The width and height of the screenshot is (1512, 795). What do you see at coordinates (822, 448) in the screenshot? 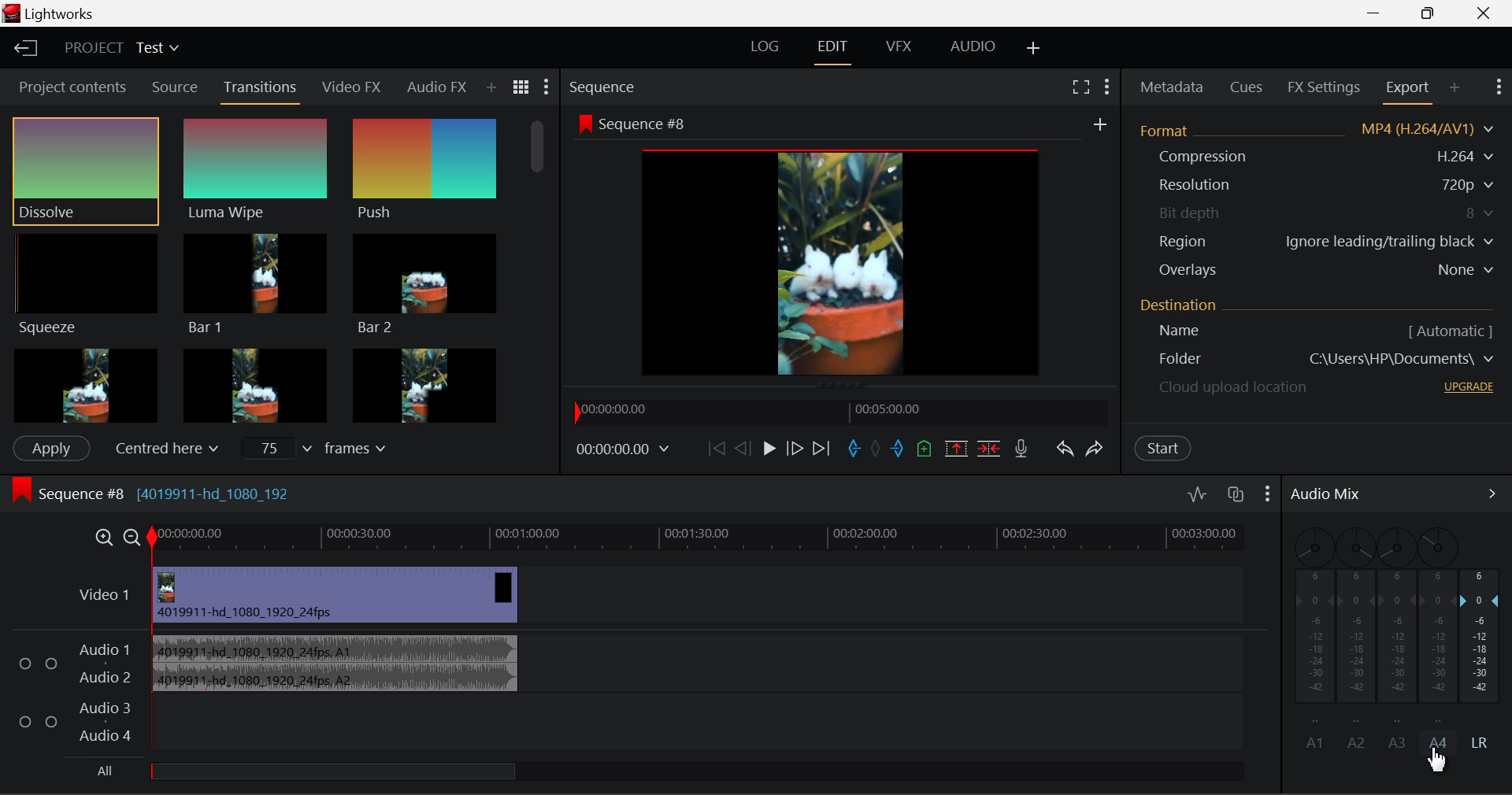
I see `To End` at bounding box center [822, 448].